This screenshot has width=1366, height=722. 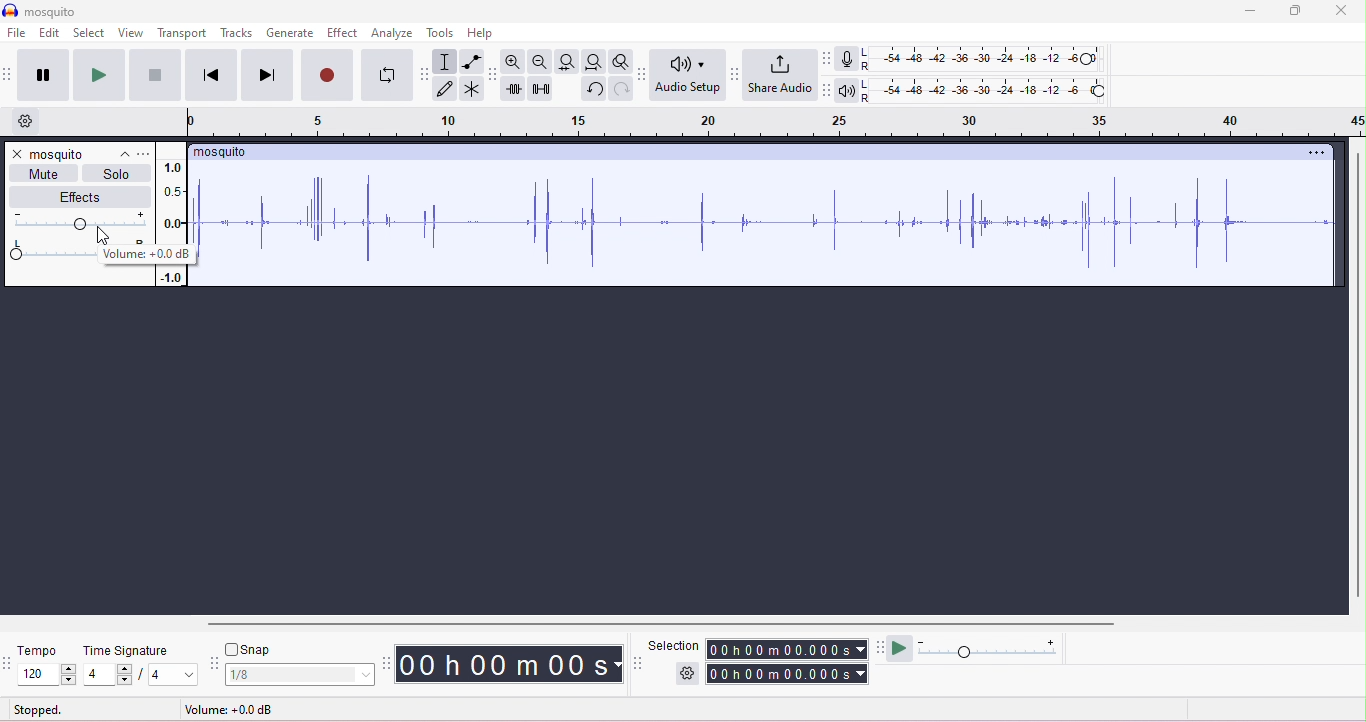 I want to click on solo, so click(x=116, y=172).